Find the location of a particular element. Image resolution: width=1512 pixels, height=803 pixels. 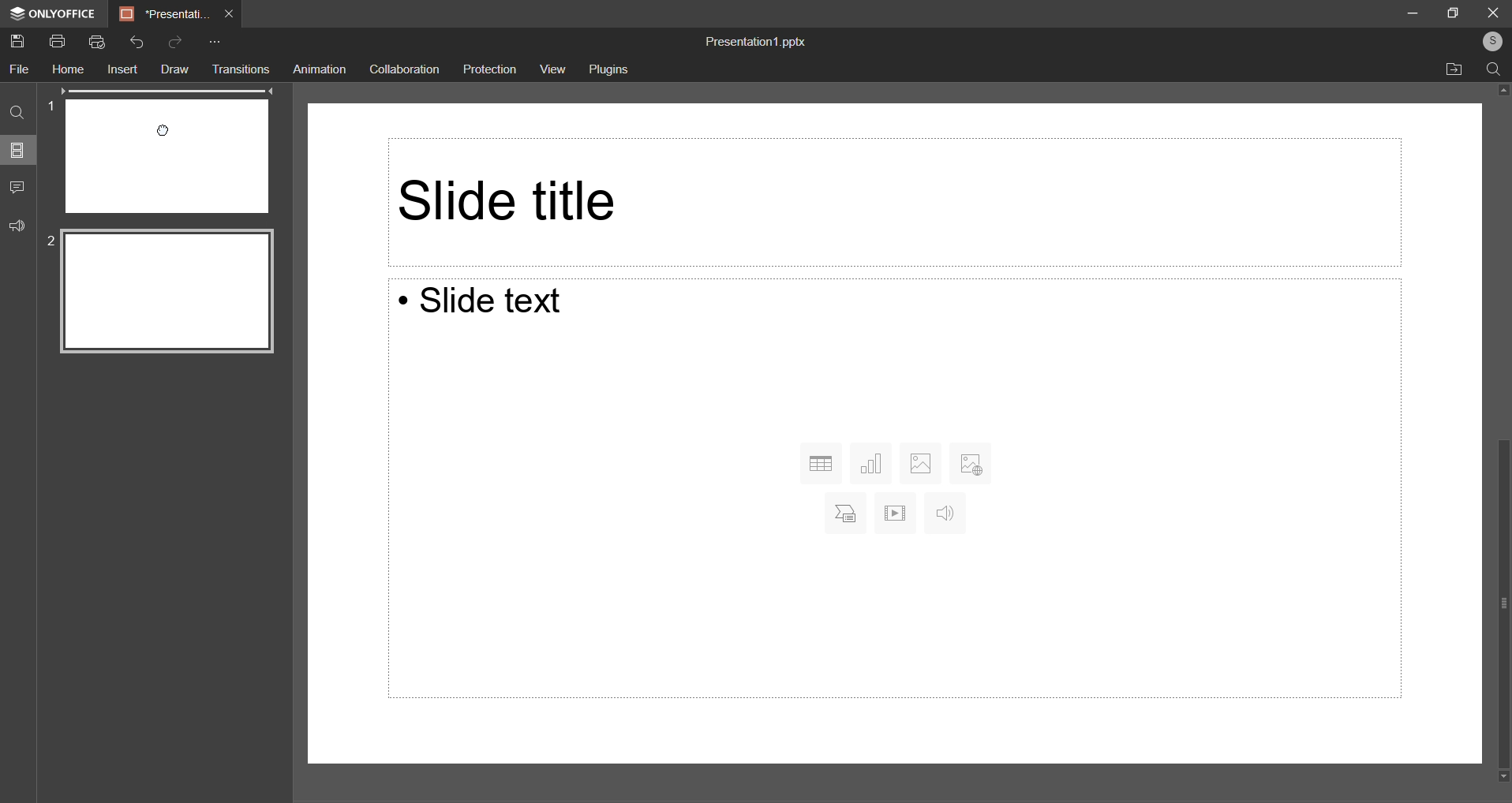

Collaboration is located at coordinates (408, 70).